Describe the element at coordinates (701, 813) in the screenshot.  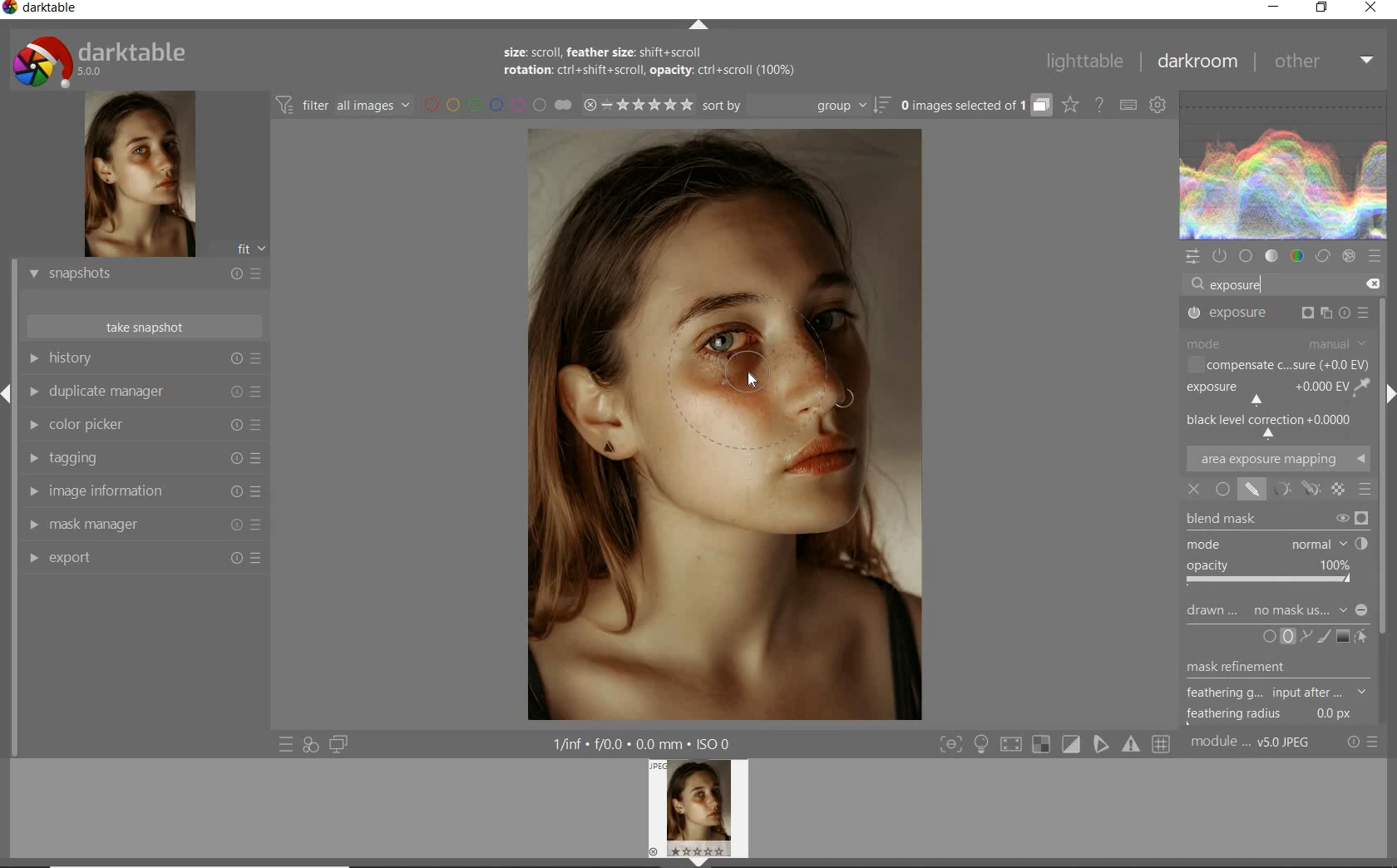
I see `image preview` at that location.